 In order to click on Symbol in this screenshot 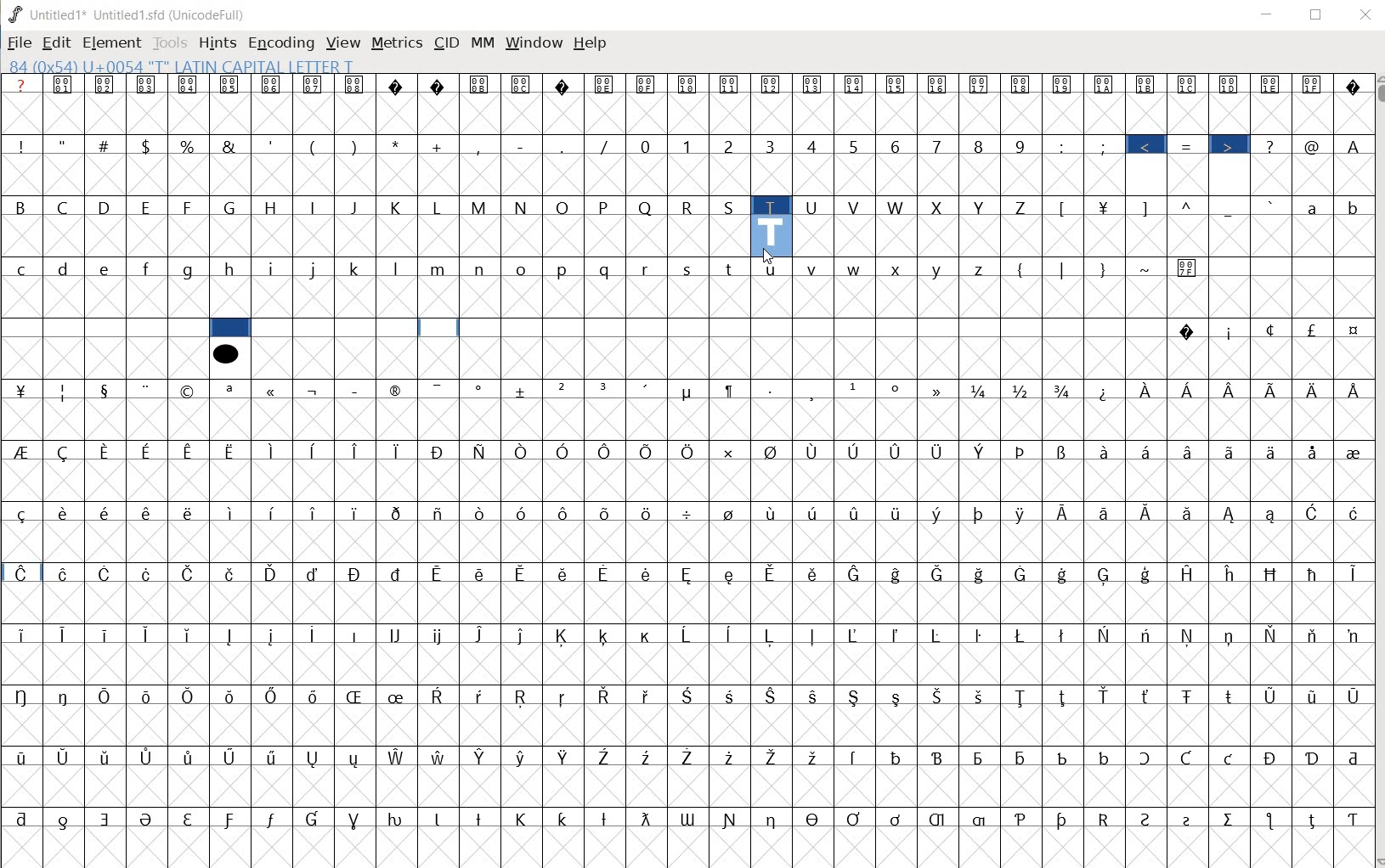, I will do `click(1066, 819)`.